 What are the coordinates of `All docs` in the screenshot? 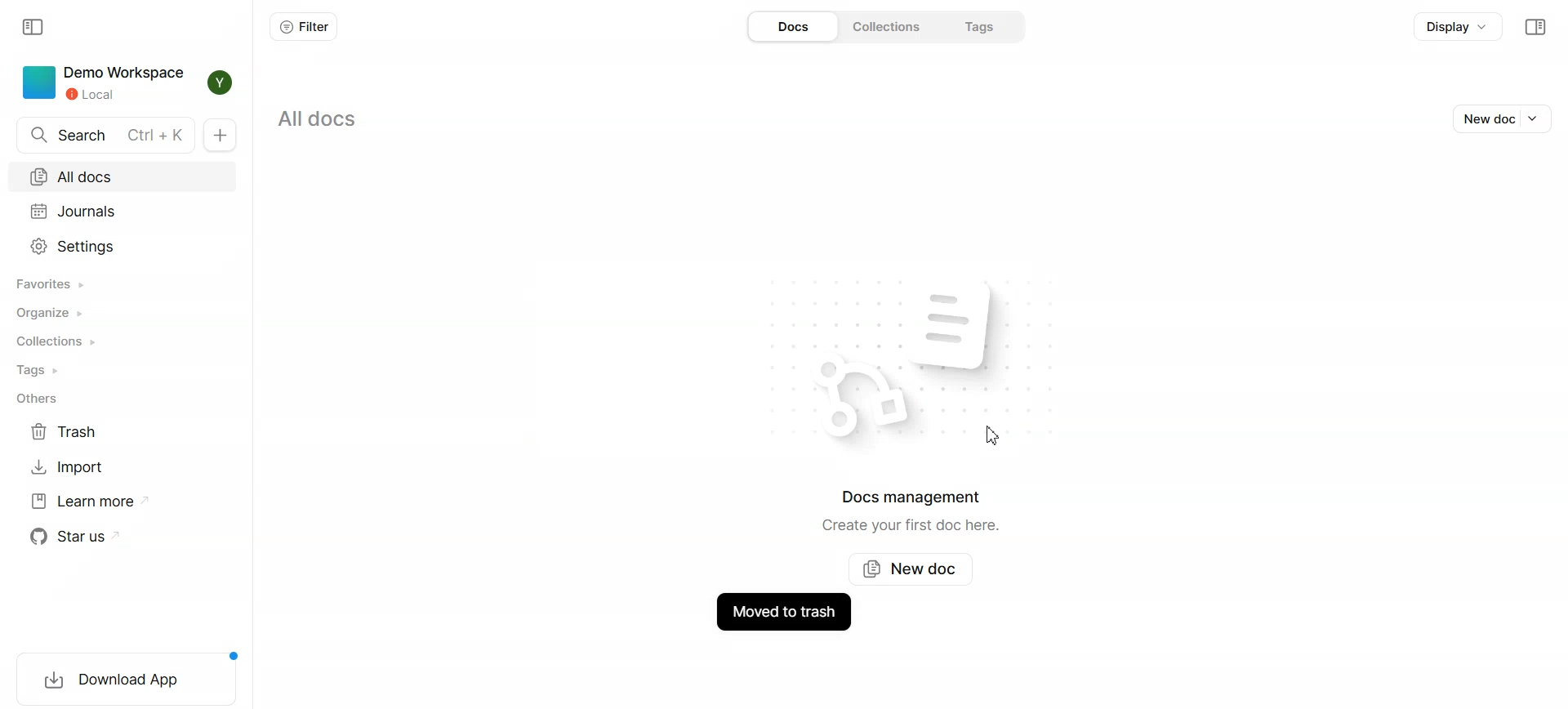 It's located at (325, 117).